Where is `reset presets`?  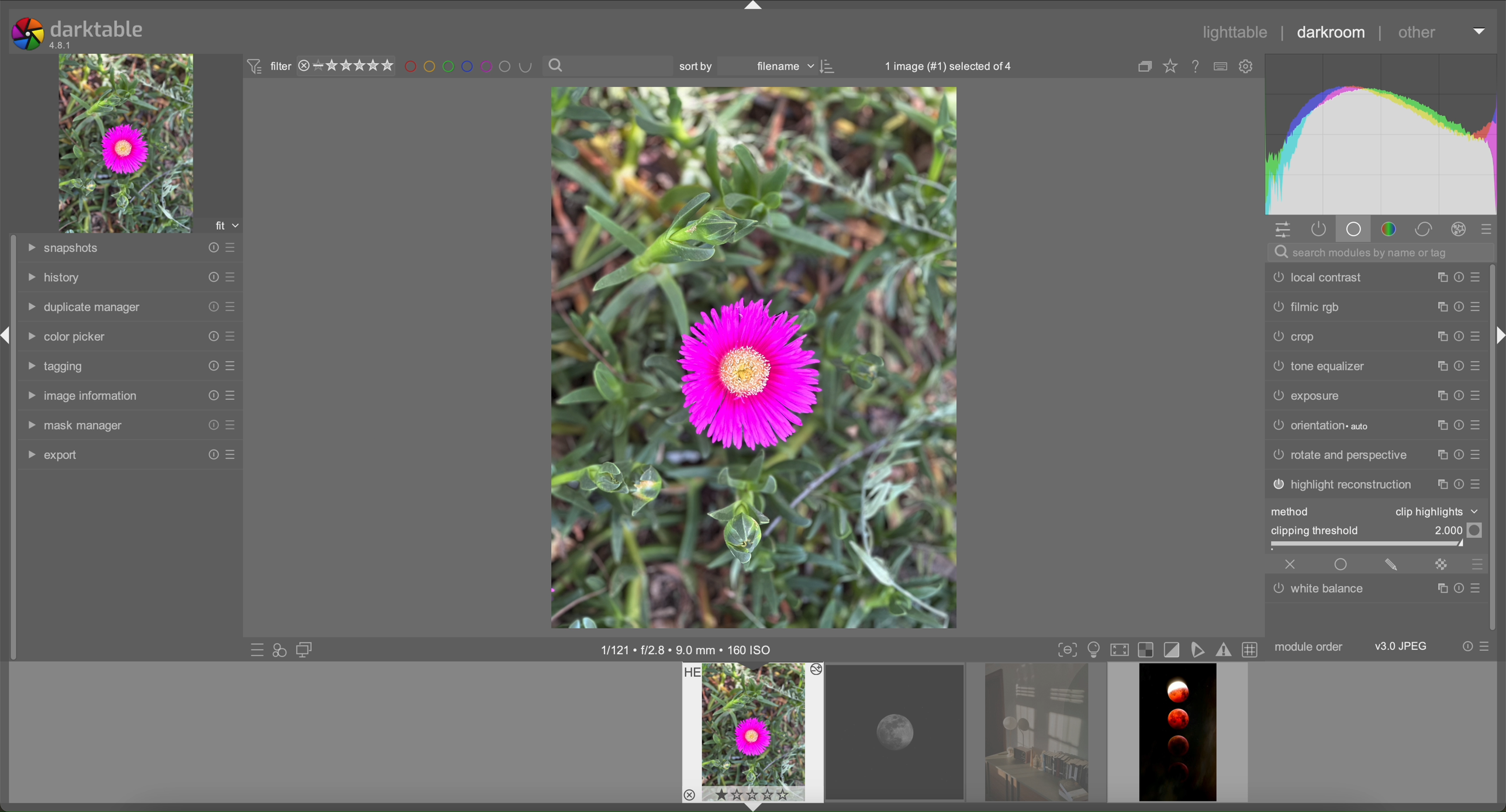 reset presets is located at coordinates (1458, 396).